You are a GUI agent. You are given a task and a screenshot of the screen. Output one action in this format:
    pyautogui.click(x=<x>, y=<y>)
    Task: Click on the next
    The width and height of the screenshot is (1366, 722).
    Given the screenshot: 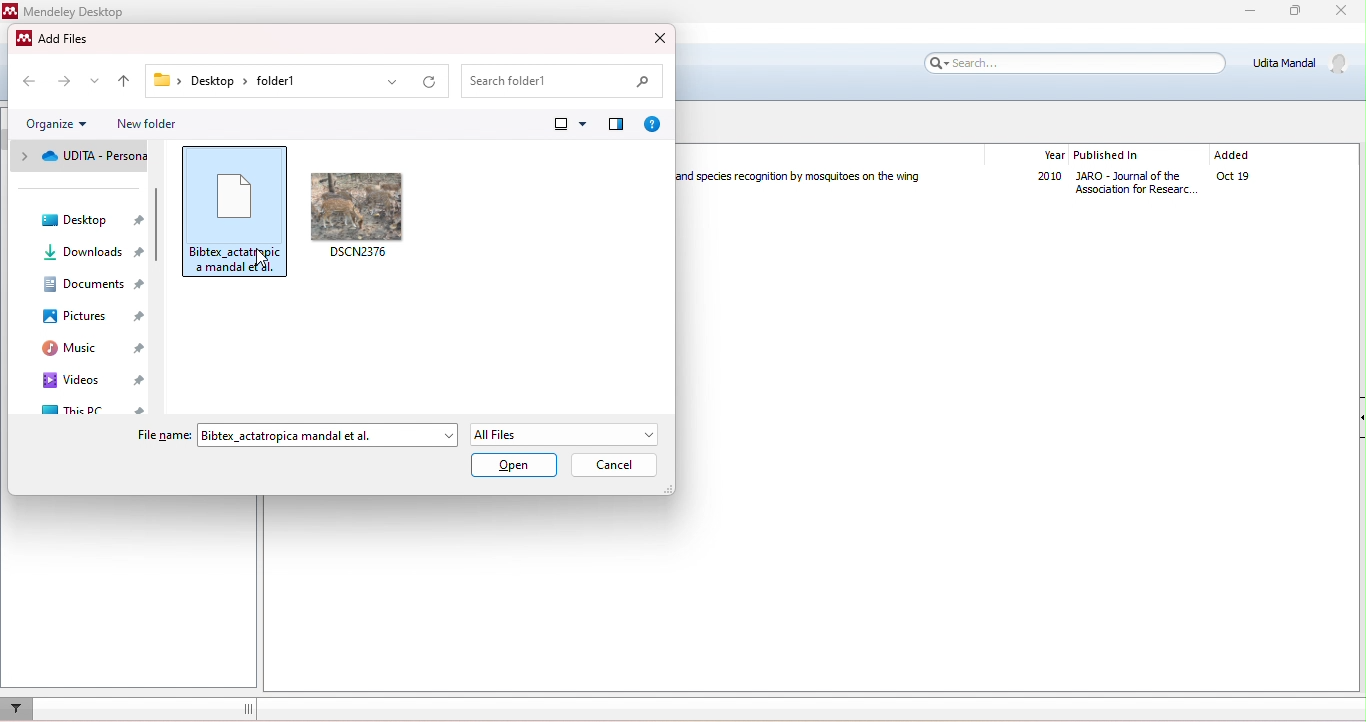 What is the action you would take?
    pyautogui.click(x=63, y=81)
    